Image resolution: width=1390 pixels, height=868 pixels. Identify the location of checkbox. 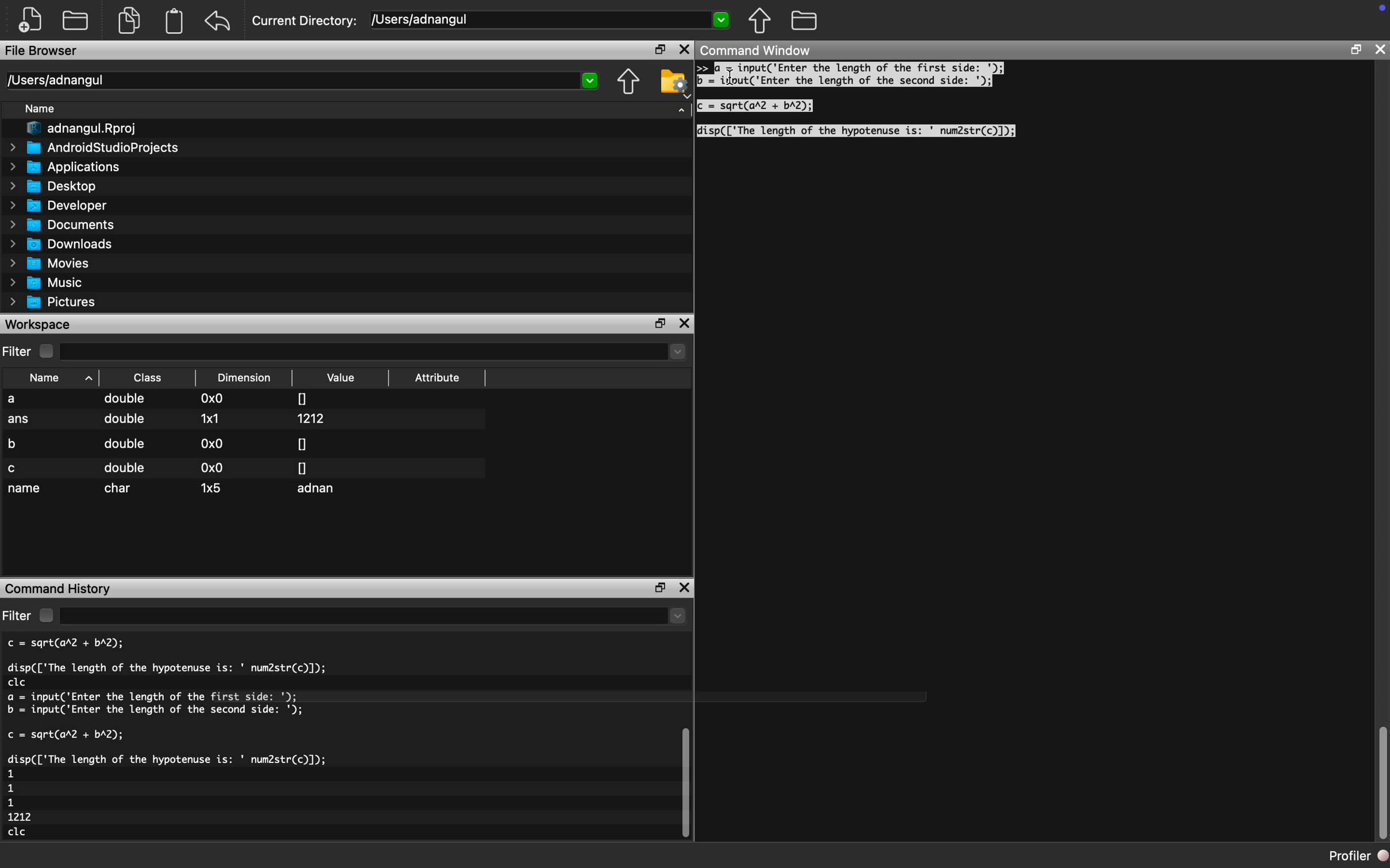
(49, 351).